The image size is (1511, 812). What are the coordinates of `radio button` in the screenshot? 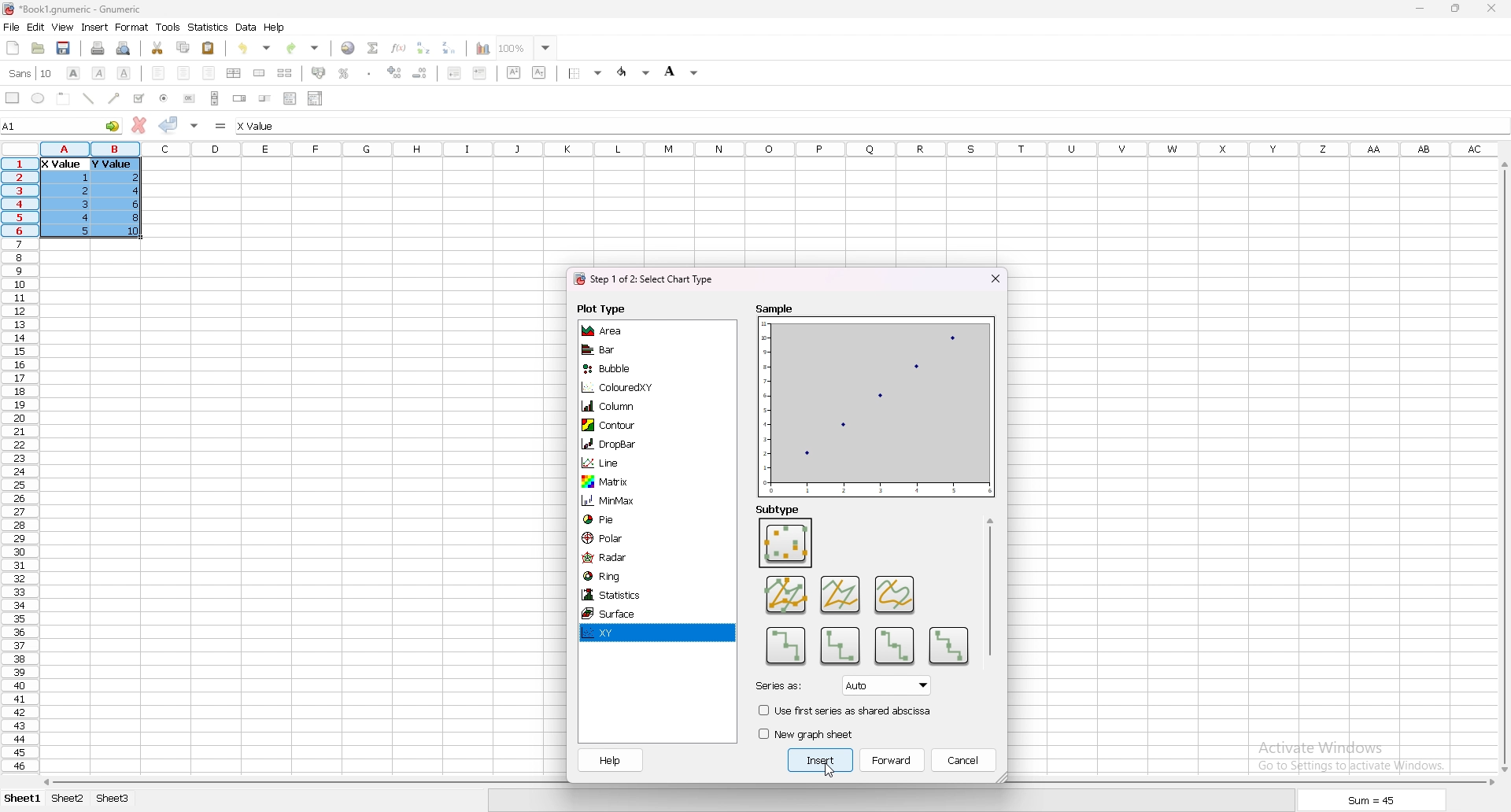 It's located at (164, 98).